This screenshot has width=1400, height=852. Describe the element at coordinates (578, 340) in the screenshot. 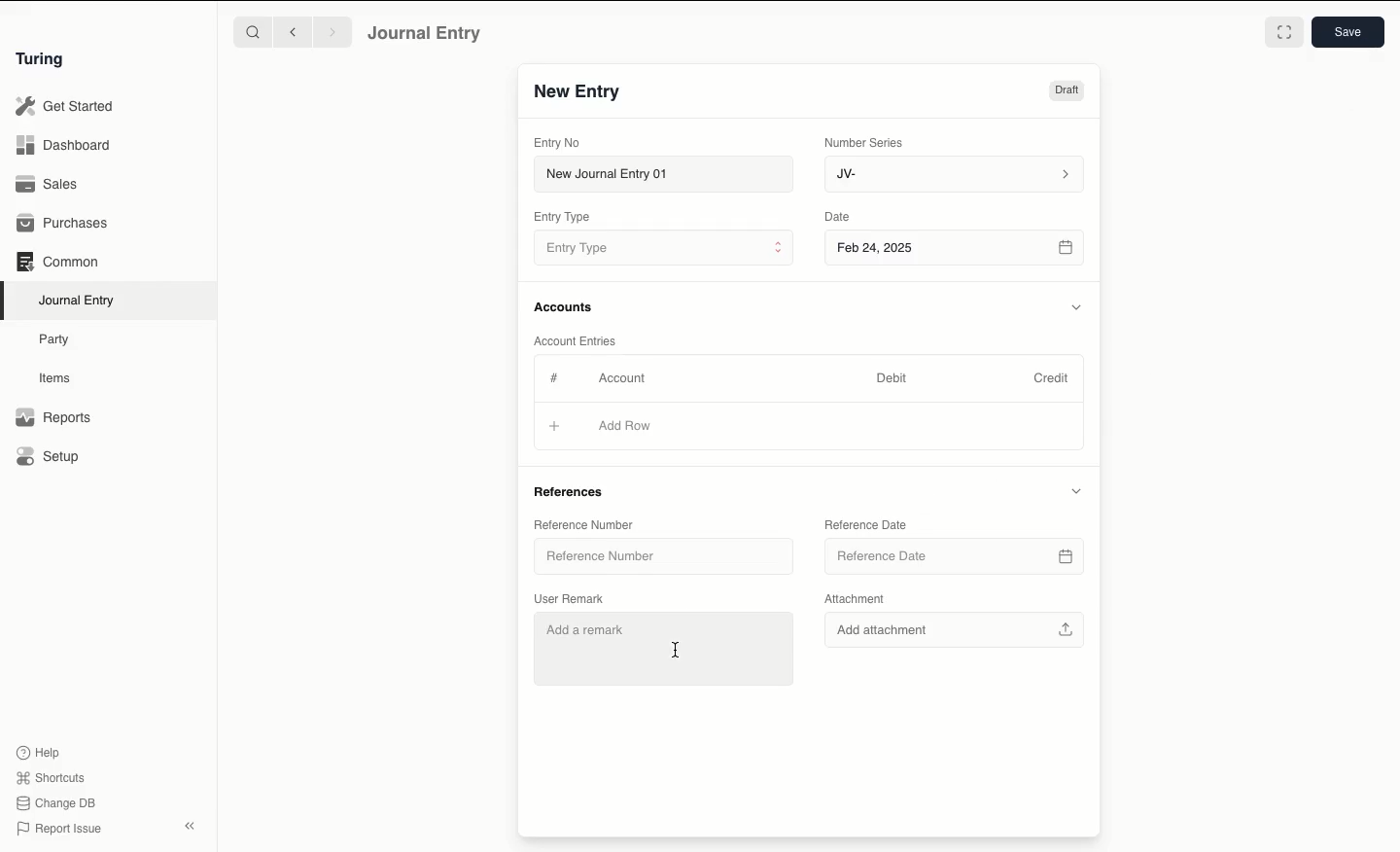

I see `Account Entries` at that location.